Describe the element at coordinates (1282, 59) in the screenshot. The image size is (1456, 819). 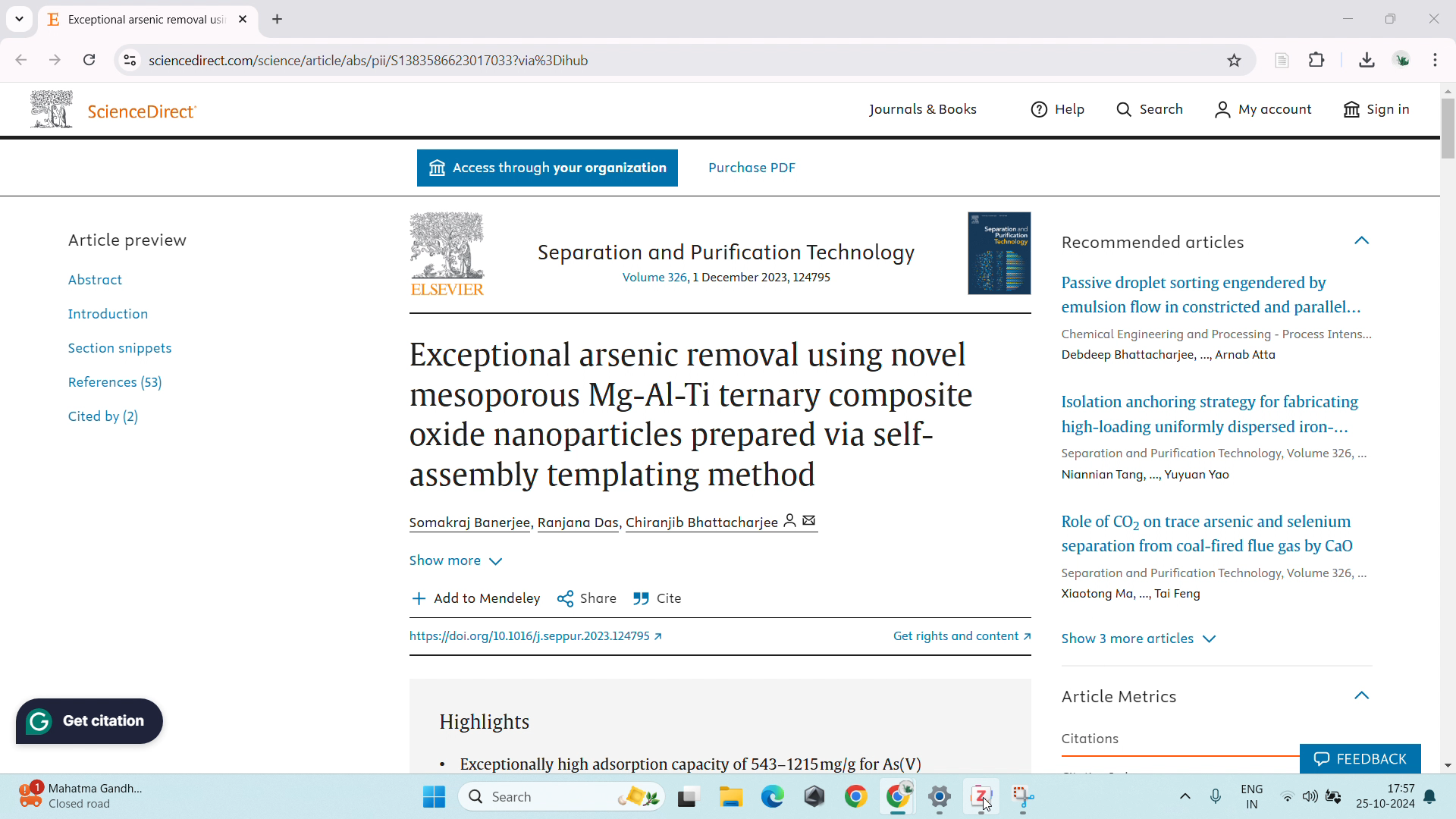
I see `zotero web importer` at that location.